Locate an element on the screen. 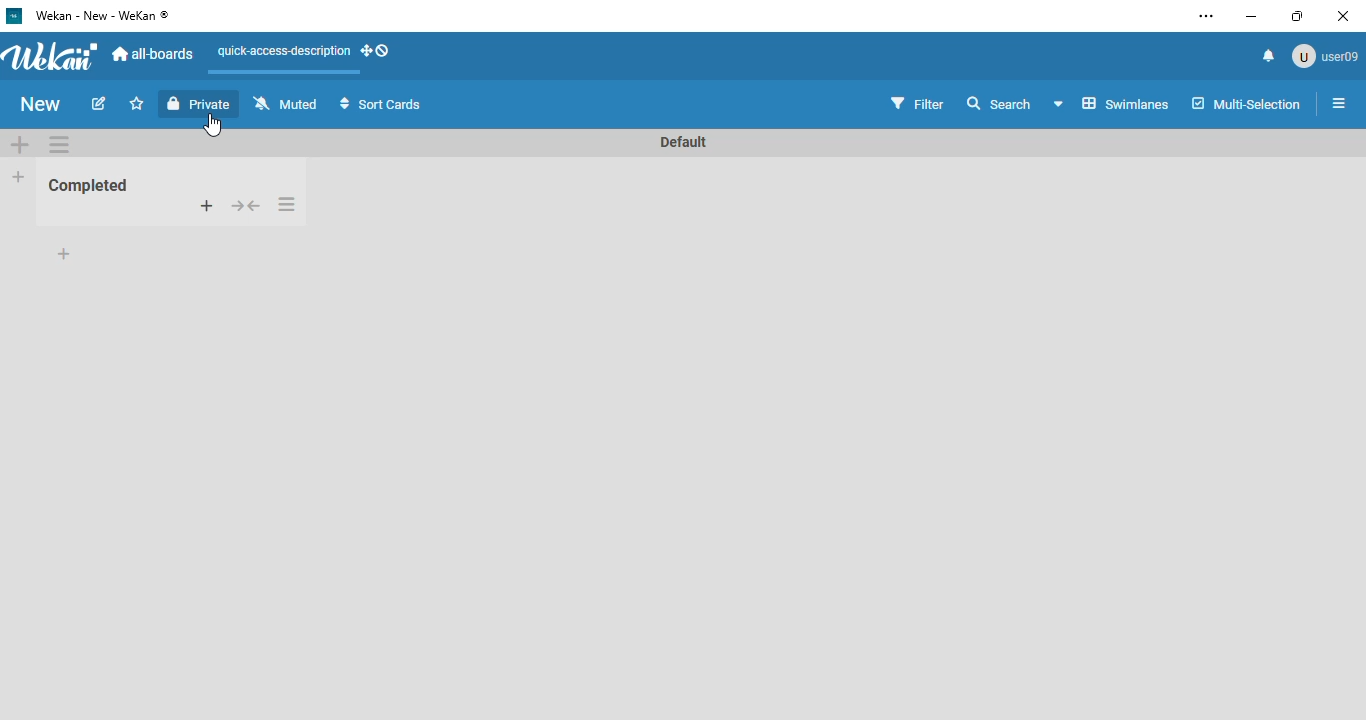 The image size is (1366, 720). click to star this board is located at coordinates (137, 104).